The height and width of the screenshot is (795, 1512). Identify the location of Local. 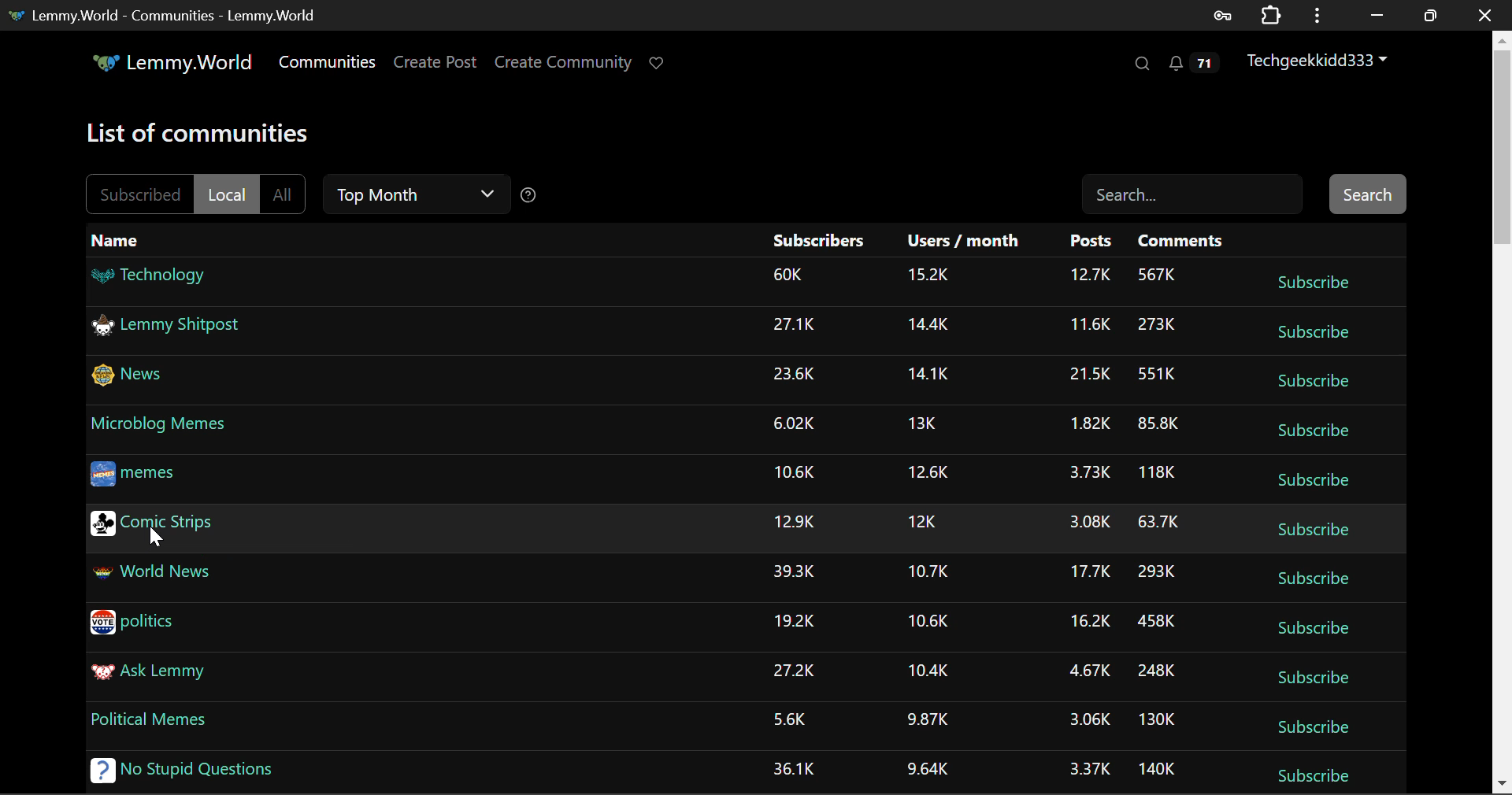
(227, 194).